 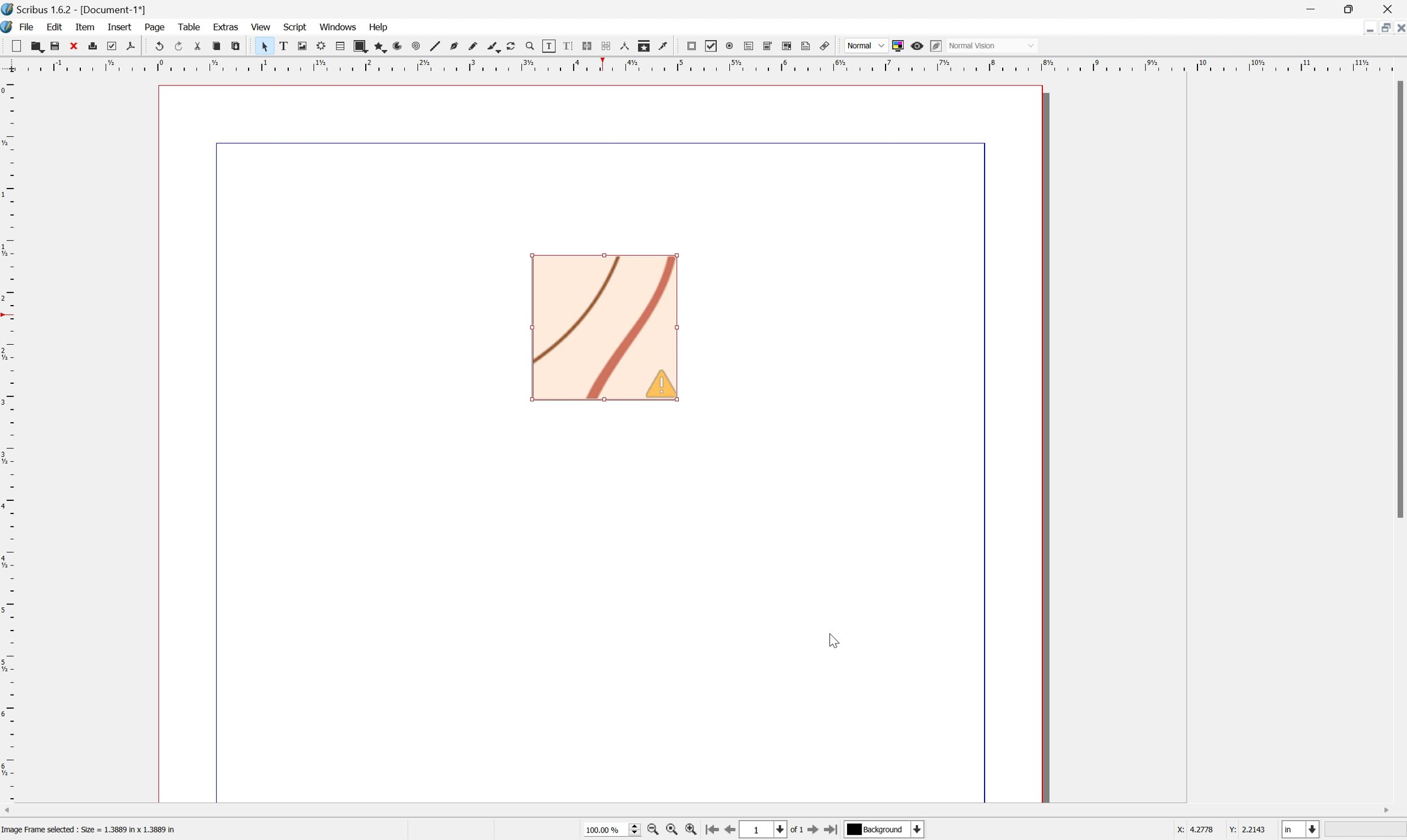 I want to click on Undo, so click(x=158, y=46).